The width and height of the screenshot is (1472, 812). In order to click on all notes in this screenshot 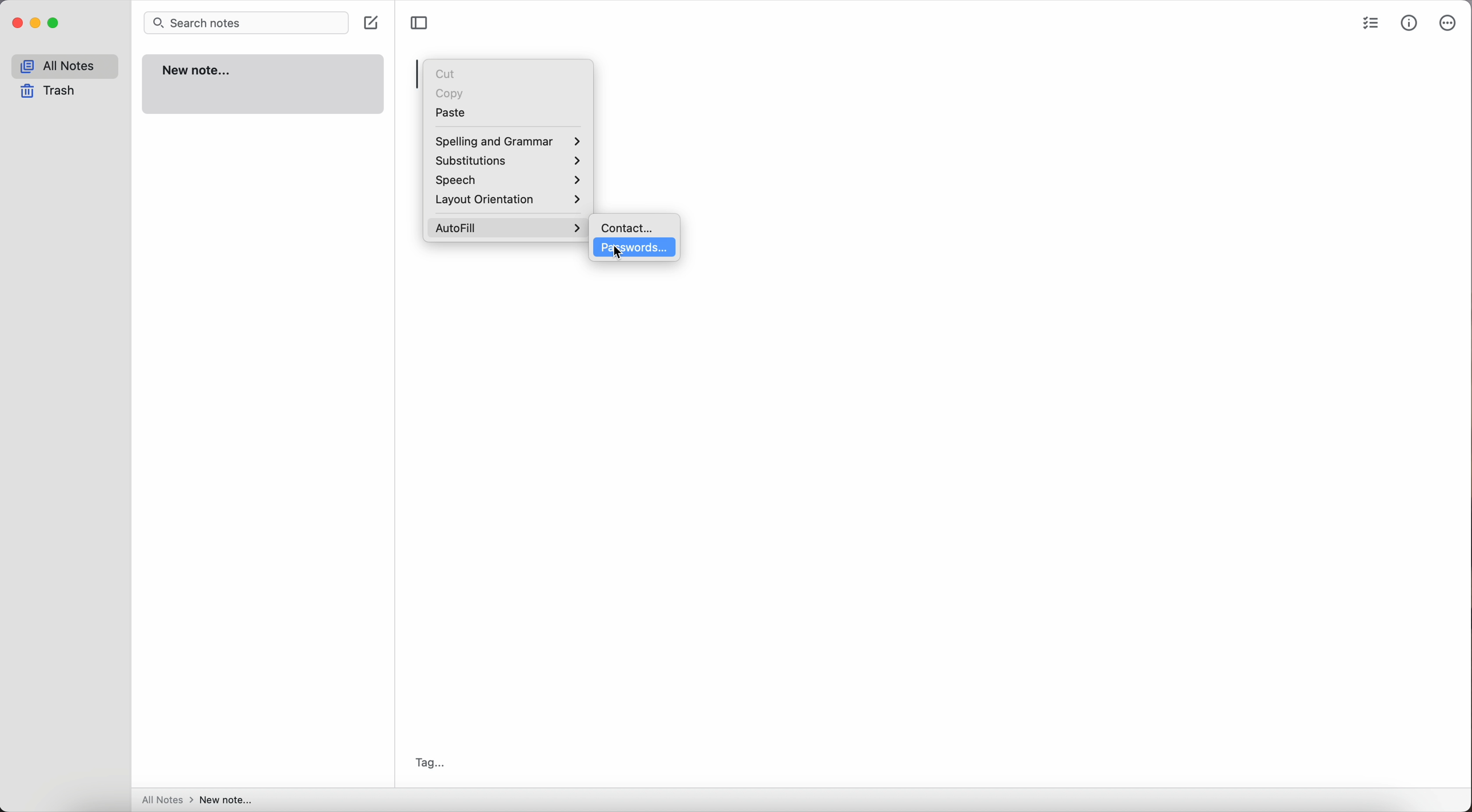, I will do `click(63, 67)`.